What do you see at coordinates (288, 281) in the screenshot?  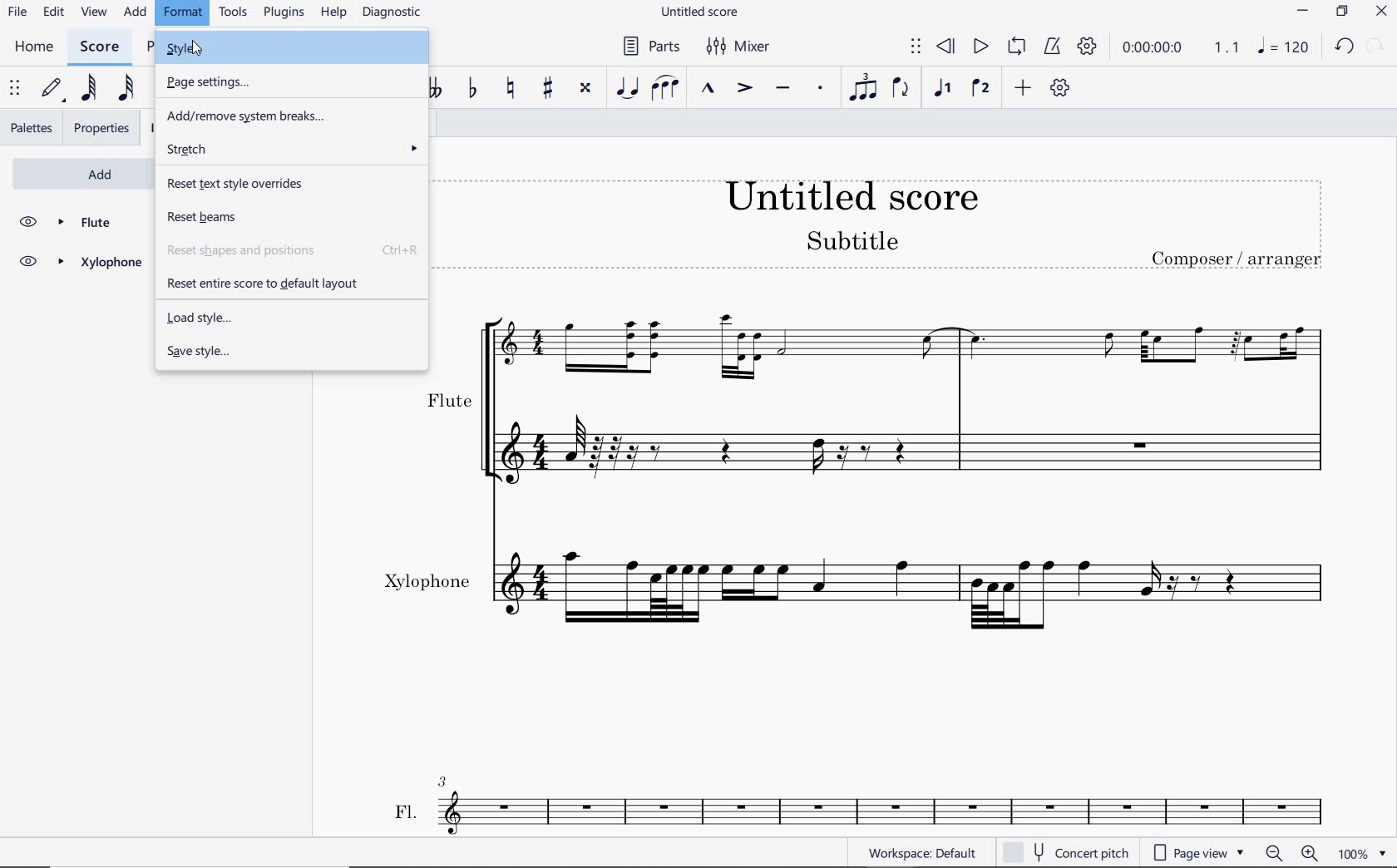 I see `reset entire score to default layout` at bounding box center [288, 281].